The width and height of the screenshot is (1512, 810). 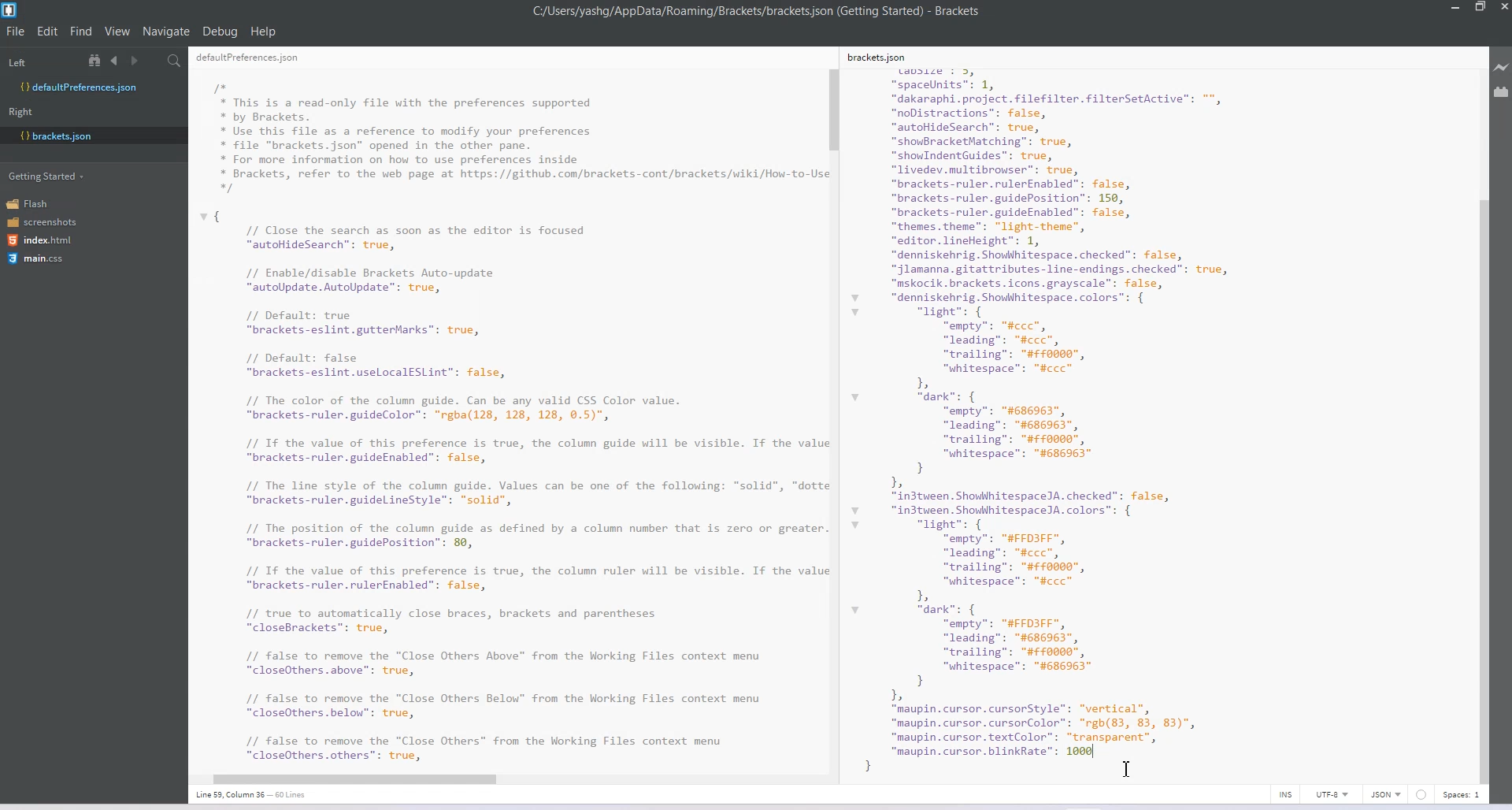 What do you see at coordinates (43, 223) in the screenshot?
I see `screenshots` at bounding box center [43, 223].